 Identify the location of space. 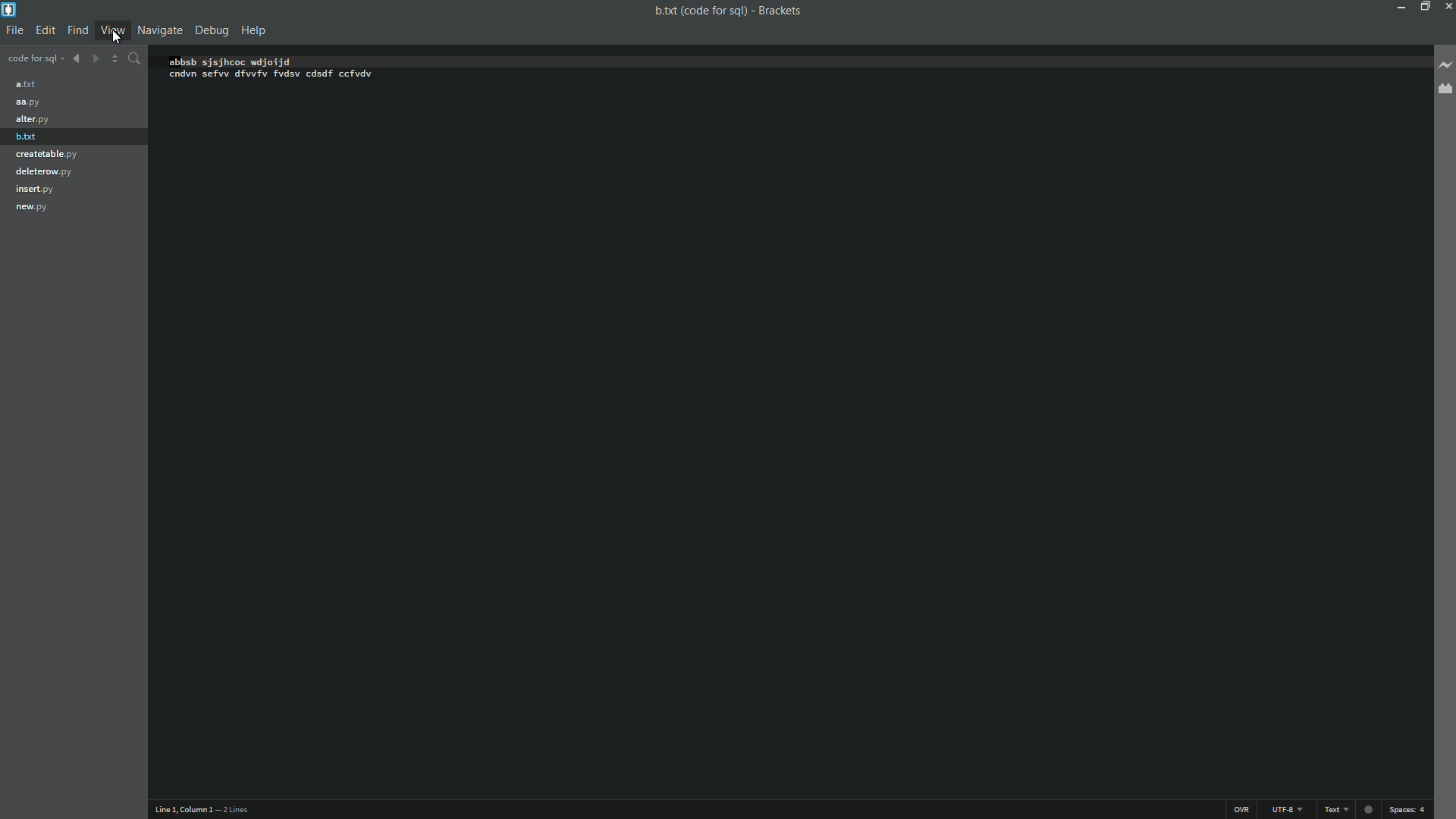
(1410, 808).